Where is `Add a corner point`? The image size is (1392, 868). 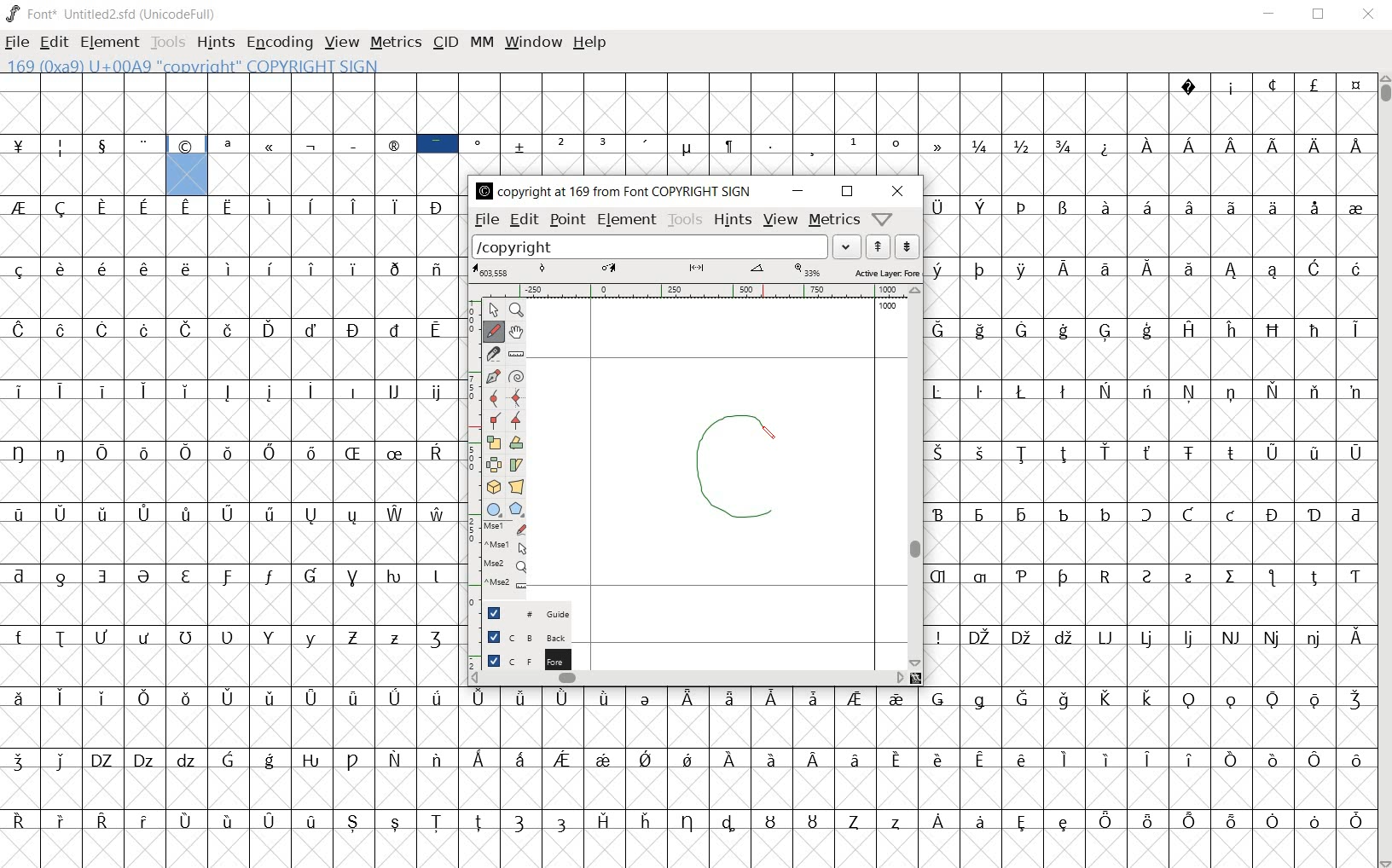 Add a corner point is located at coordinates (497, 420).